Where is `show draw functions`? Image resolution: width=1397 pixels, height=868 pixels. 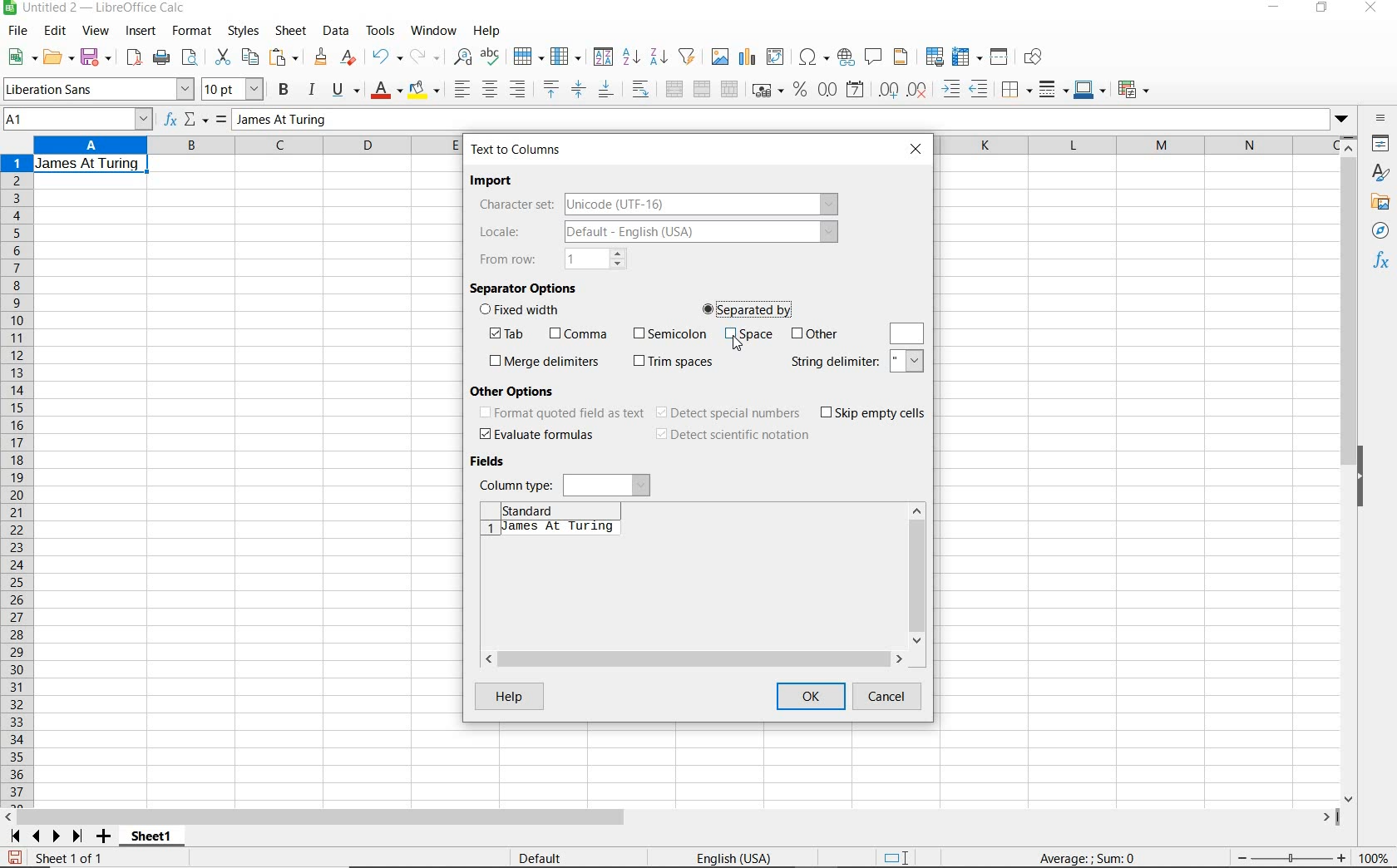 show draw functions is located at coordinates (1038, 59).